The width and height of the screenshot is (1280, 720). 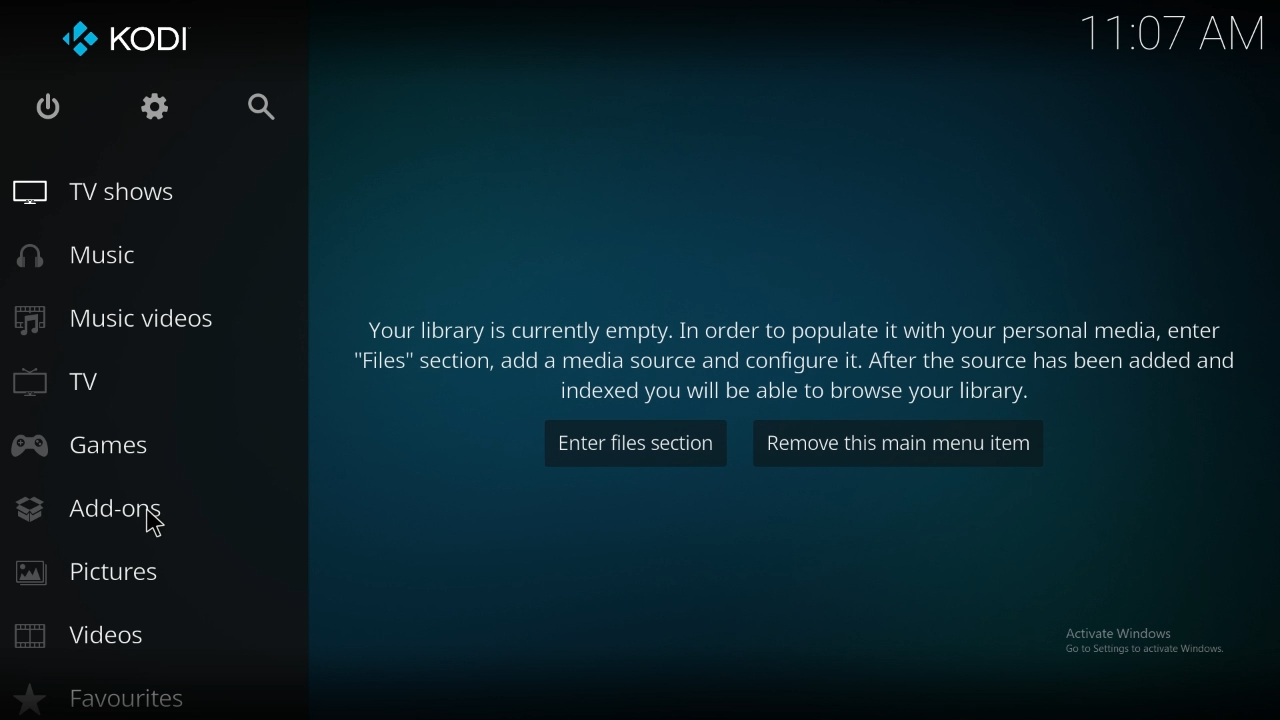 What do you see at coordinates (114, 573) in the screenshot?
I see `pictures` at bounding box center [114, 573].